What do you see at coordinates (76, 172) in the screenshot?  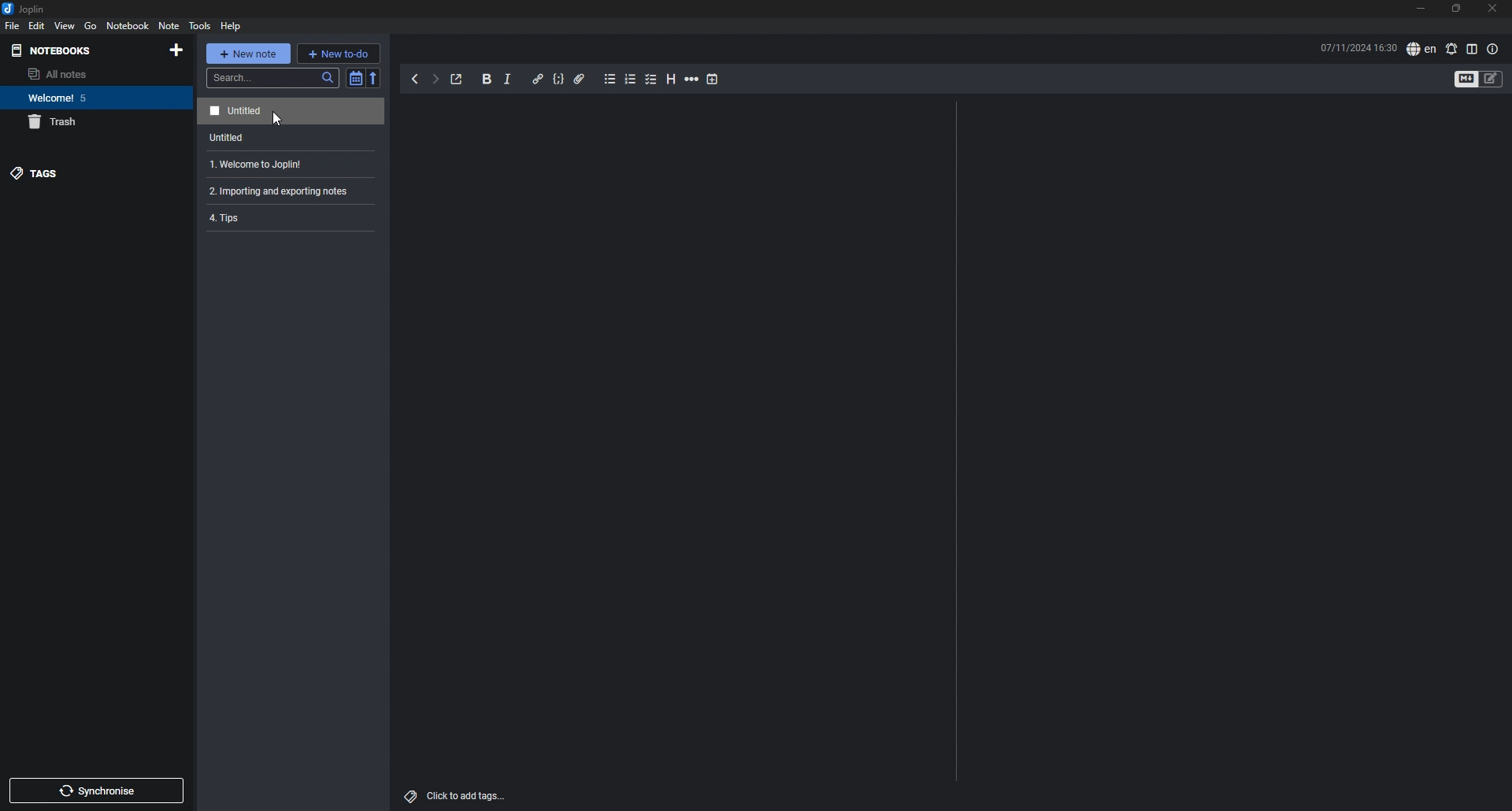 I see `tags` at bounding box center [76, 172].